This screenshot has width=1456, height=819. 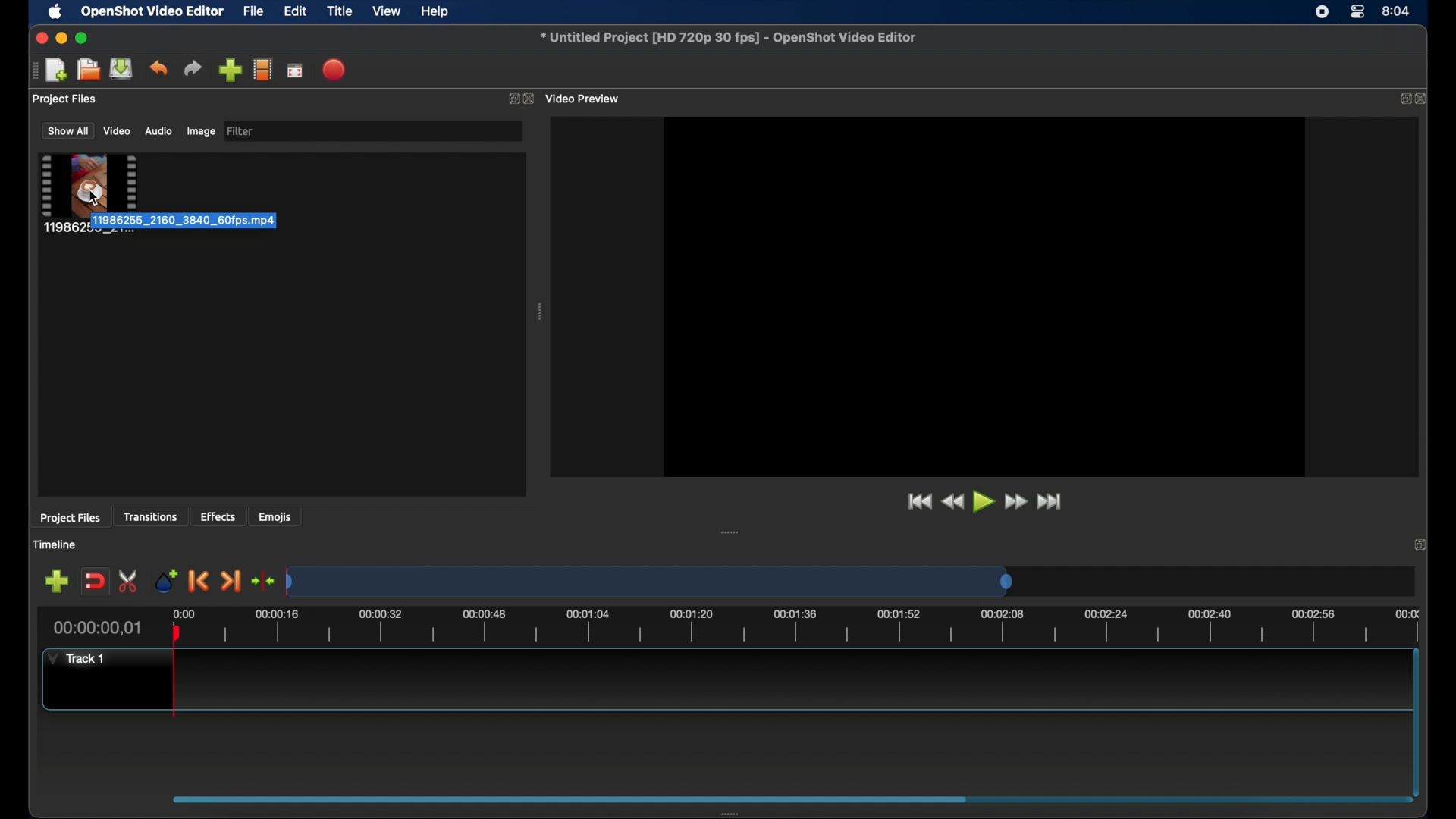 I want to click on track1, so click(x=77, y=658).